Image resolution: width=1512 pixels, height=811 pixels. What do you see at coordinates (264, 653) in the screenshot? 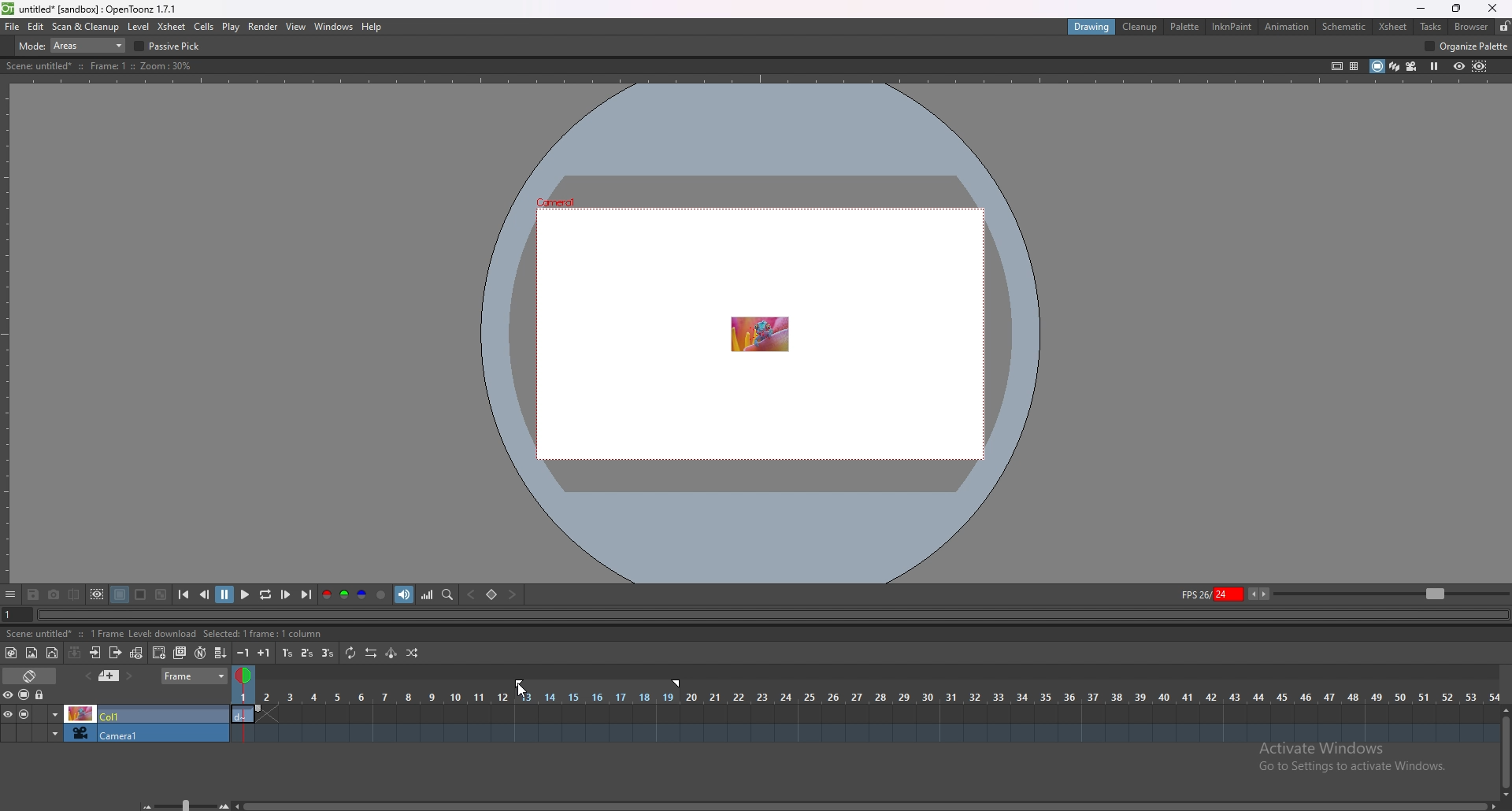
I see `increase step` at bounding box center [264, 653].